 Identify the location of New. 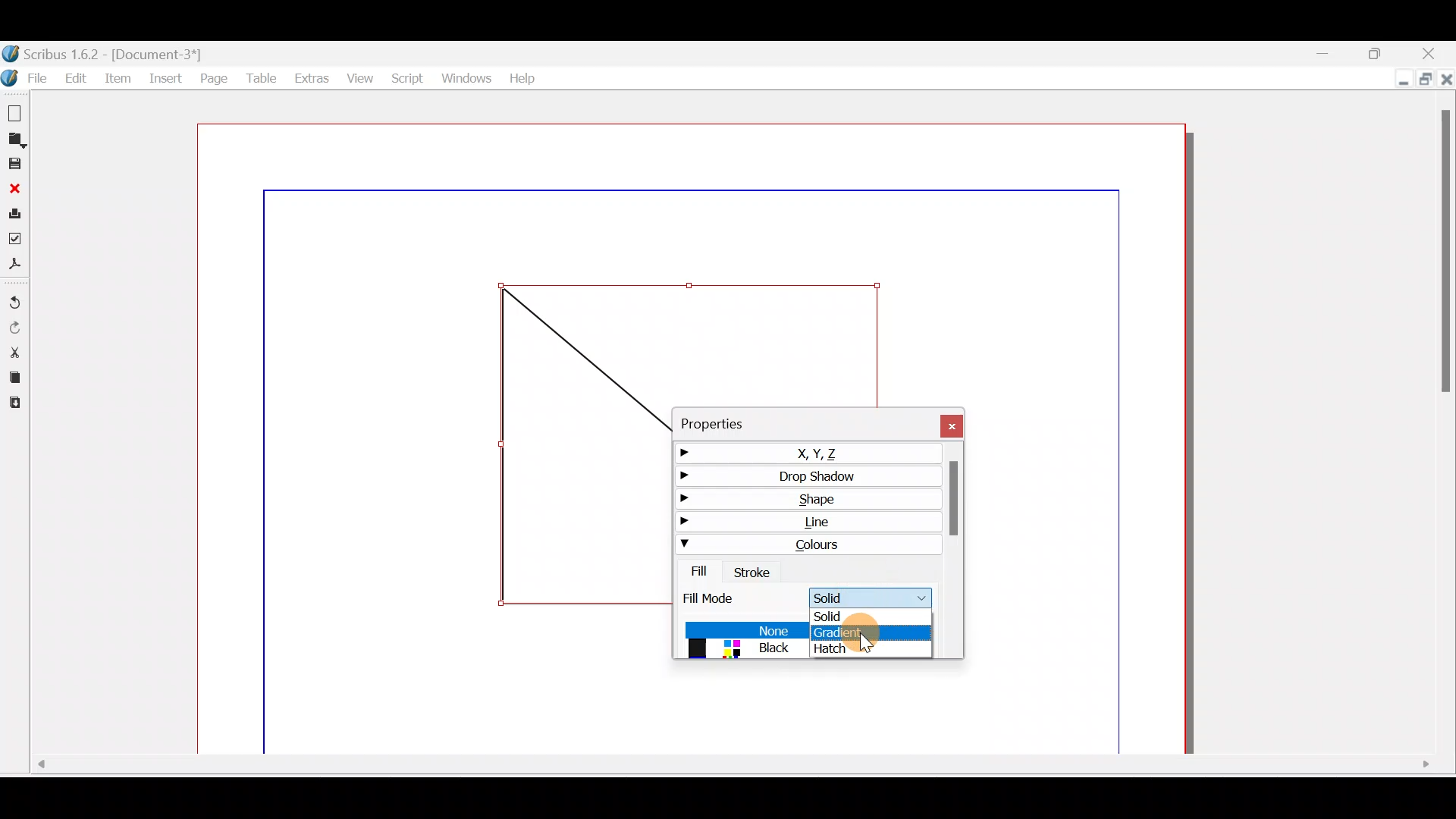
(15, 111).